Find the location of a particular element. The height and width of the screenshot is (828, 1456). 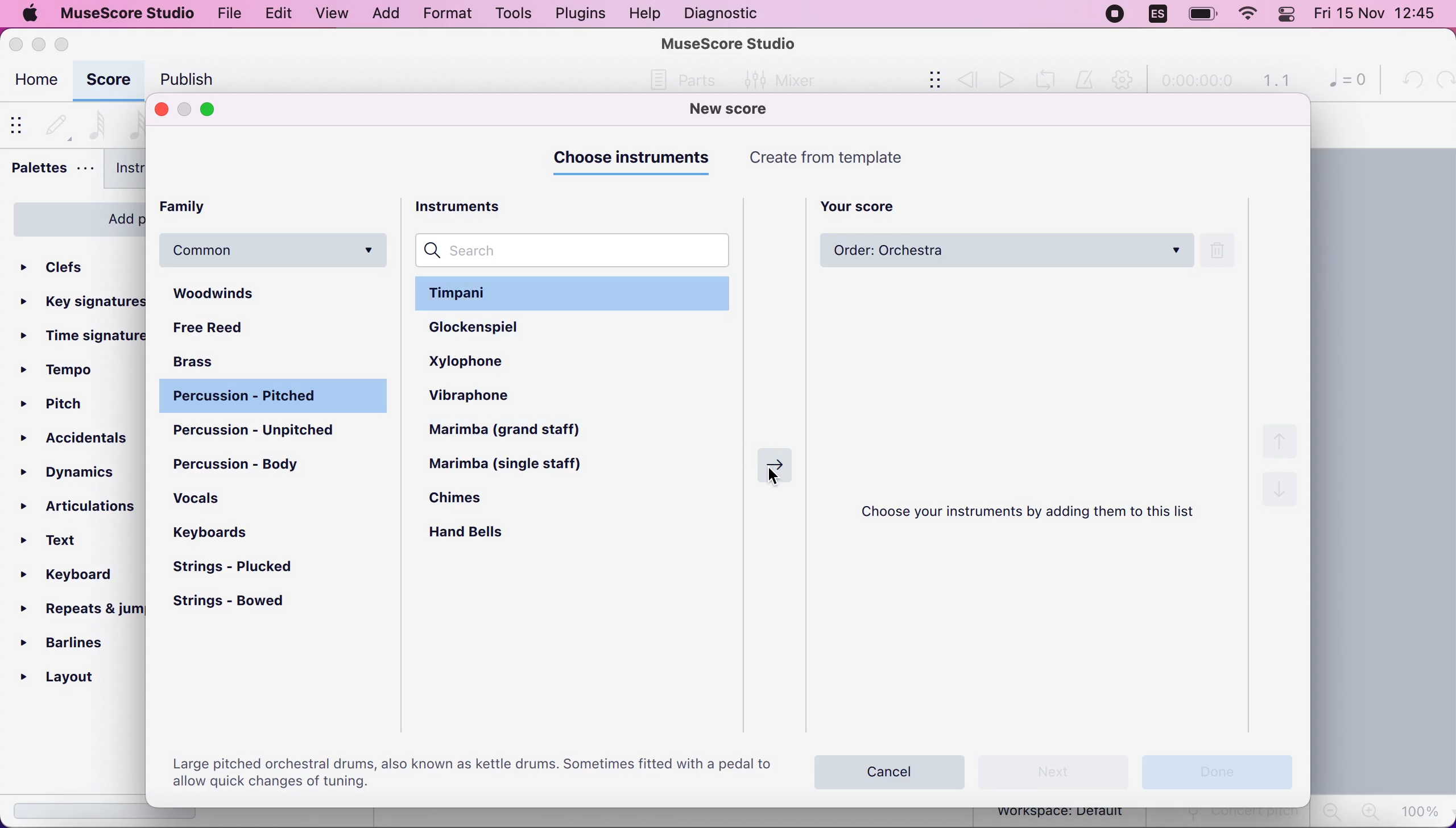

order: orchestra is located at coordinates (1004, 251).